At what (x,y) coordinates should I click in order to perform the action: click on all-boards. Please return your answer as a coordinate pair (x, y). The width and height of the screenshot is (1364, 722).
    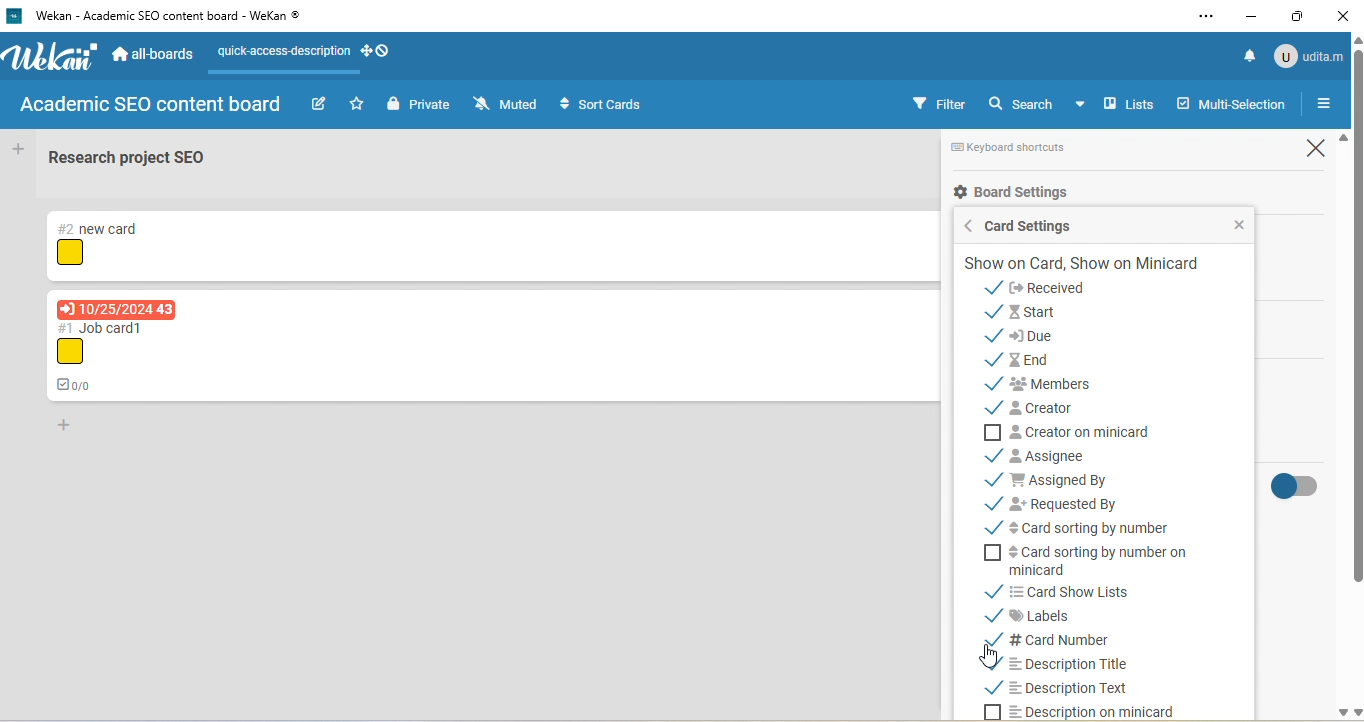
    Looking at the image, I should click on (155, 52).